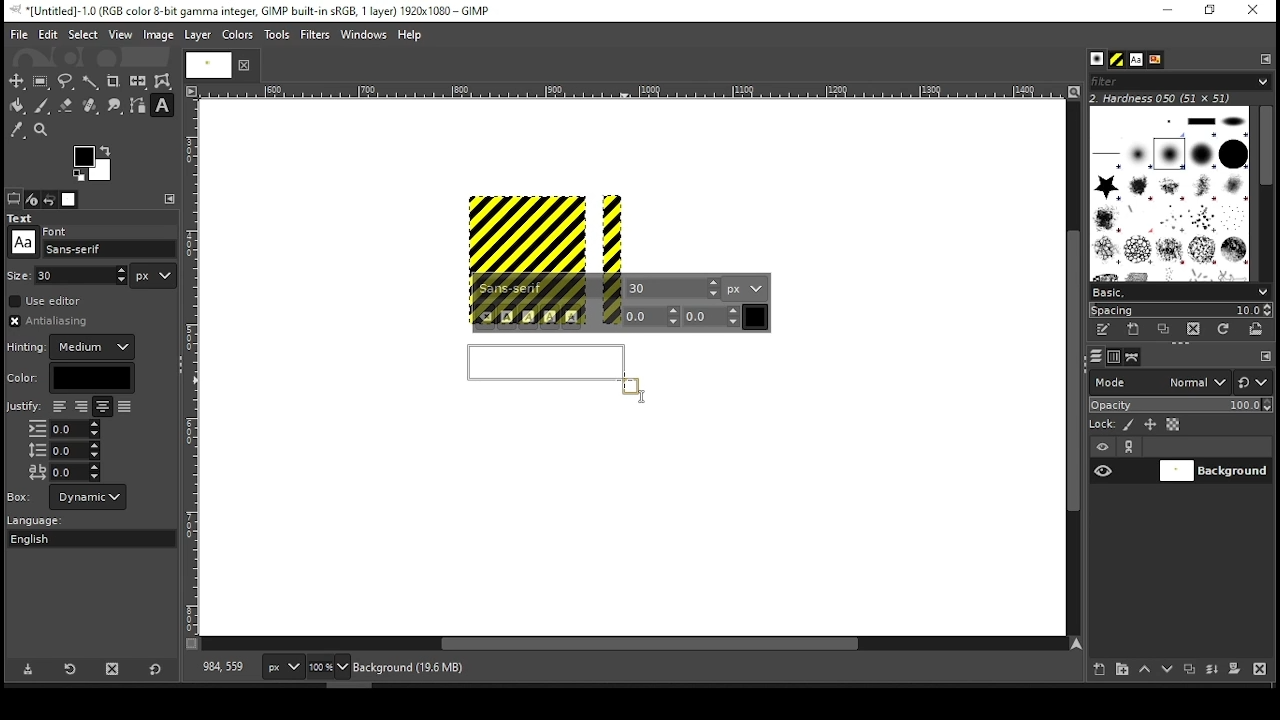 This screenshot has height=720, width=1280. Describe the element at coordinates (14, 198) in the screenshot. I see `tool options` at that location.